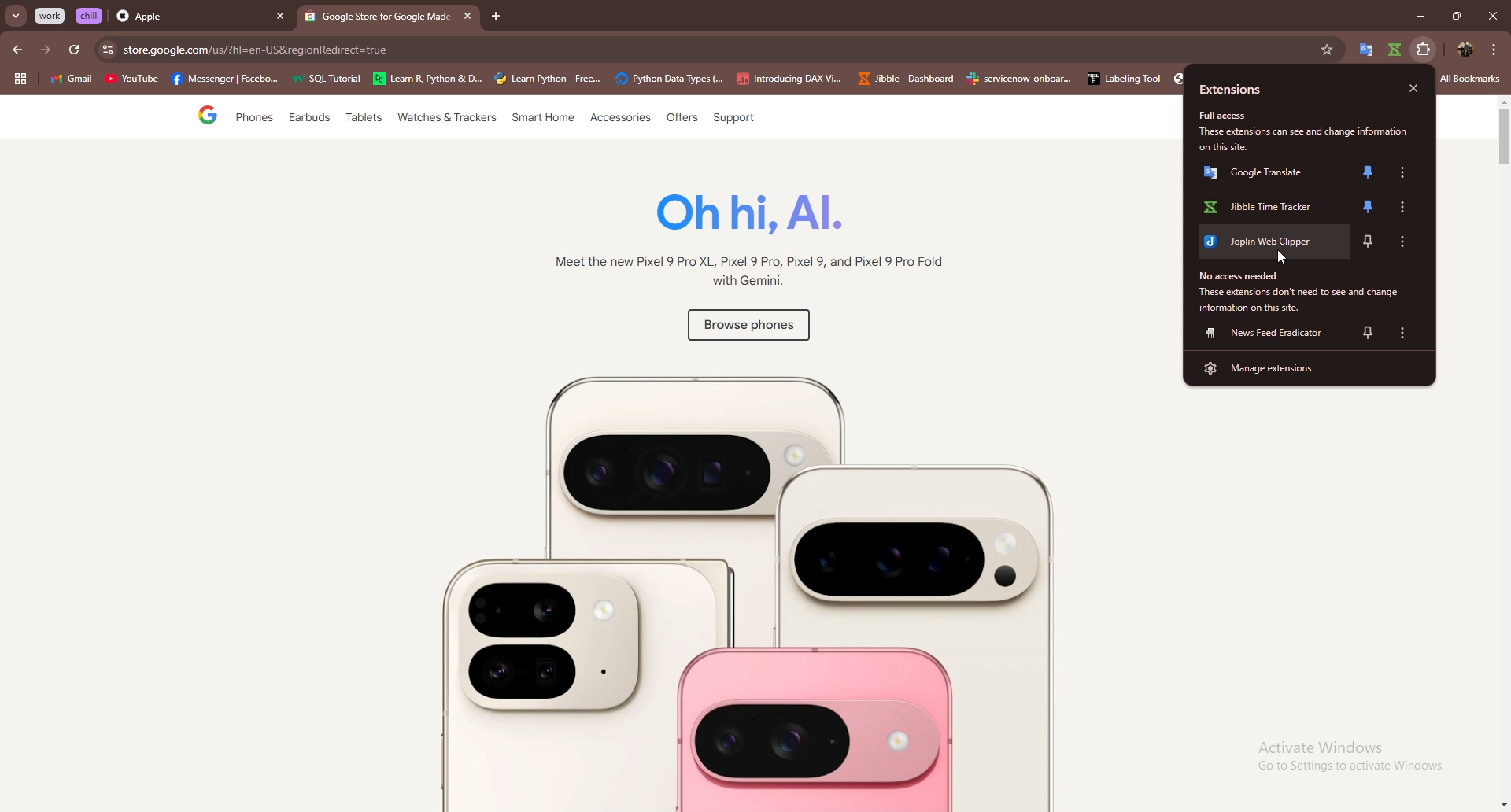 The height and width of the screenshot is (812, 1511). I want to click on Browse phones, so click(746, 328).